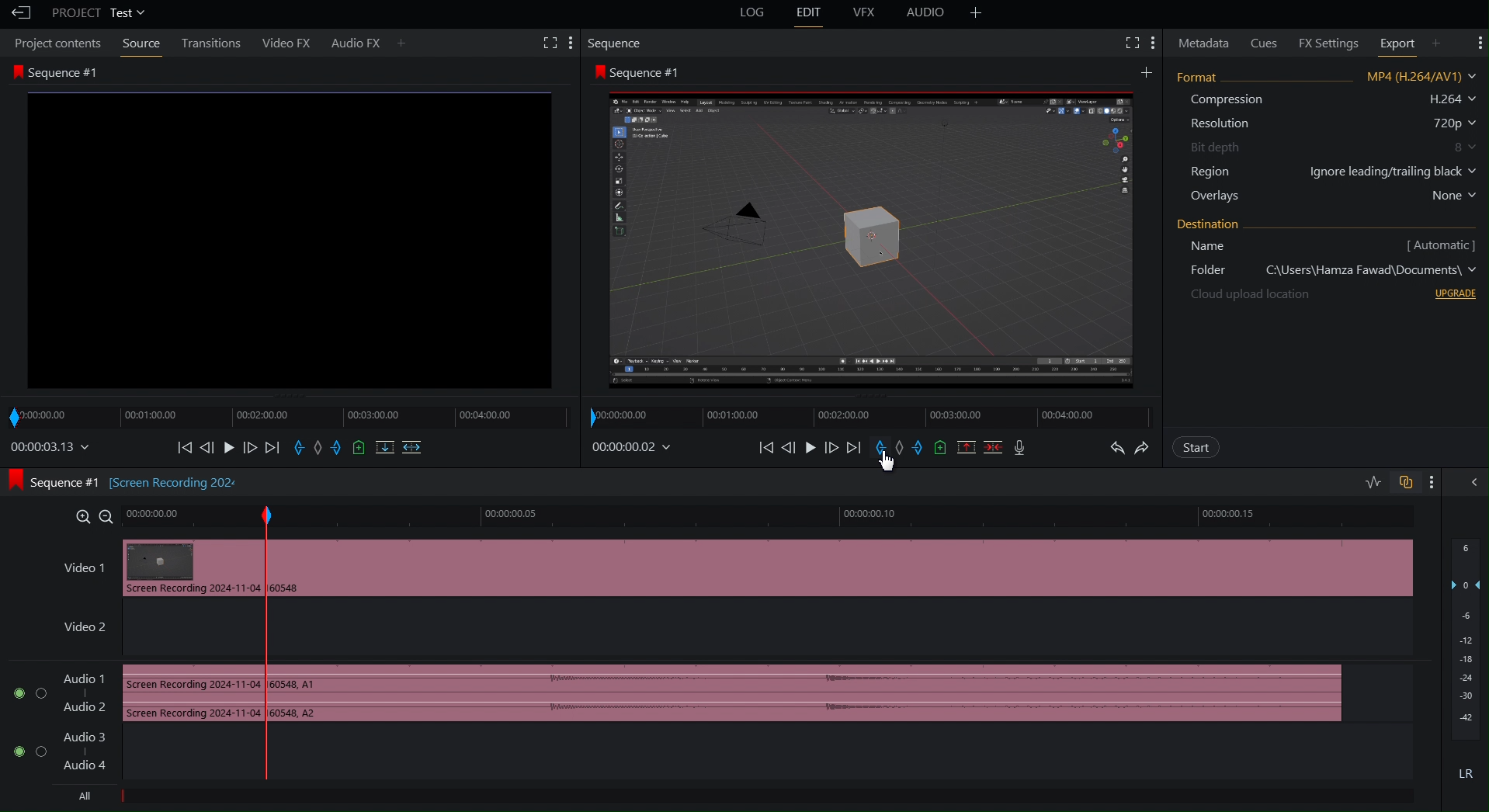 This screenshot has width=1489, height=812. I want to click on Timestamp, so click(636, 446).